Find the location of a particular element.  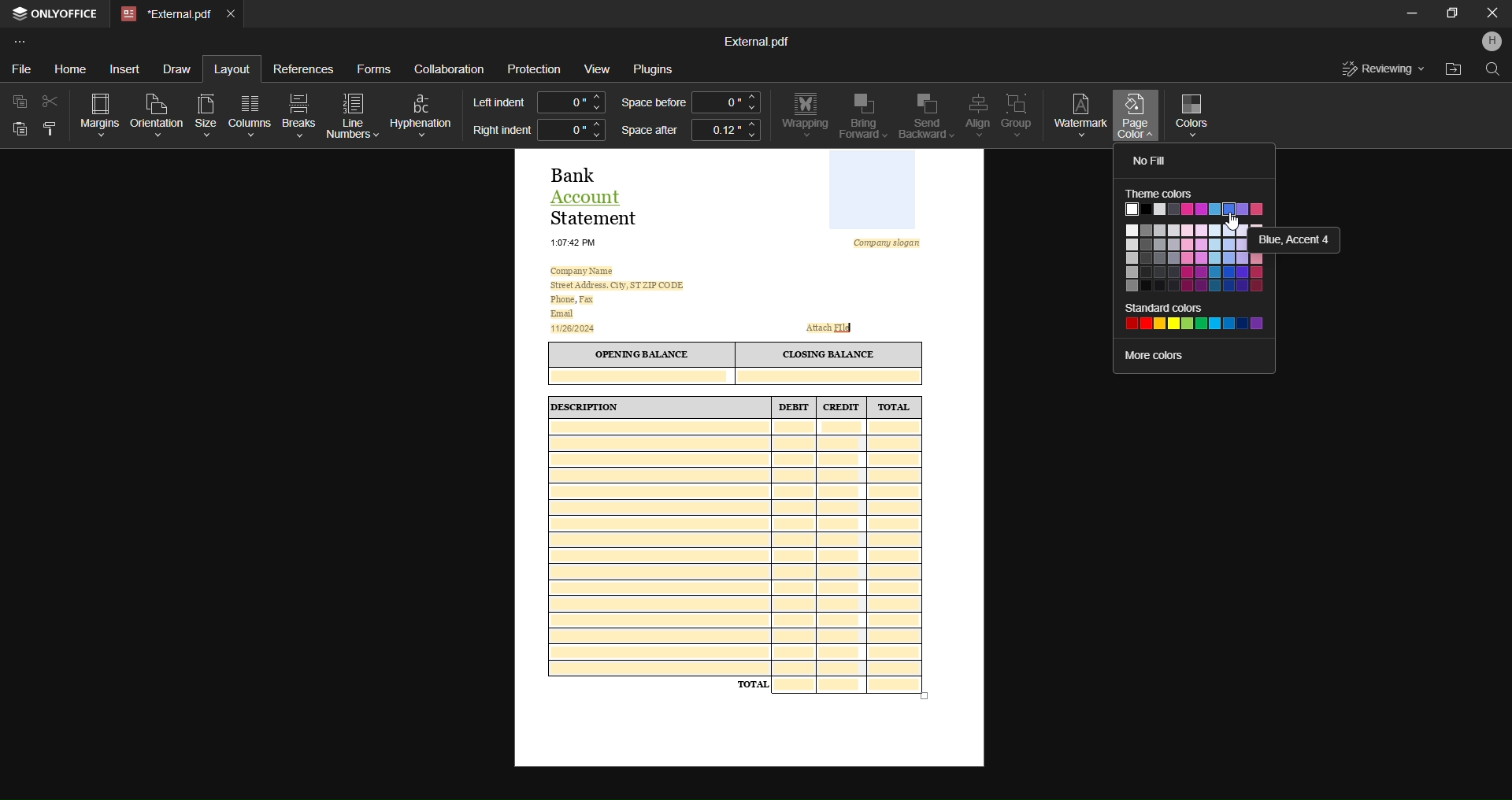

Draw is located at coordinates (180, 67).